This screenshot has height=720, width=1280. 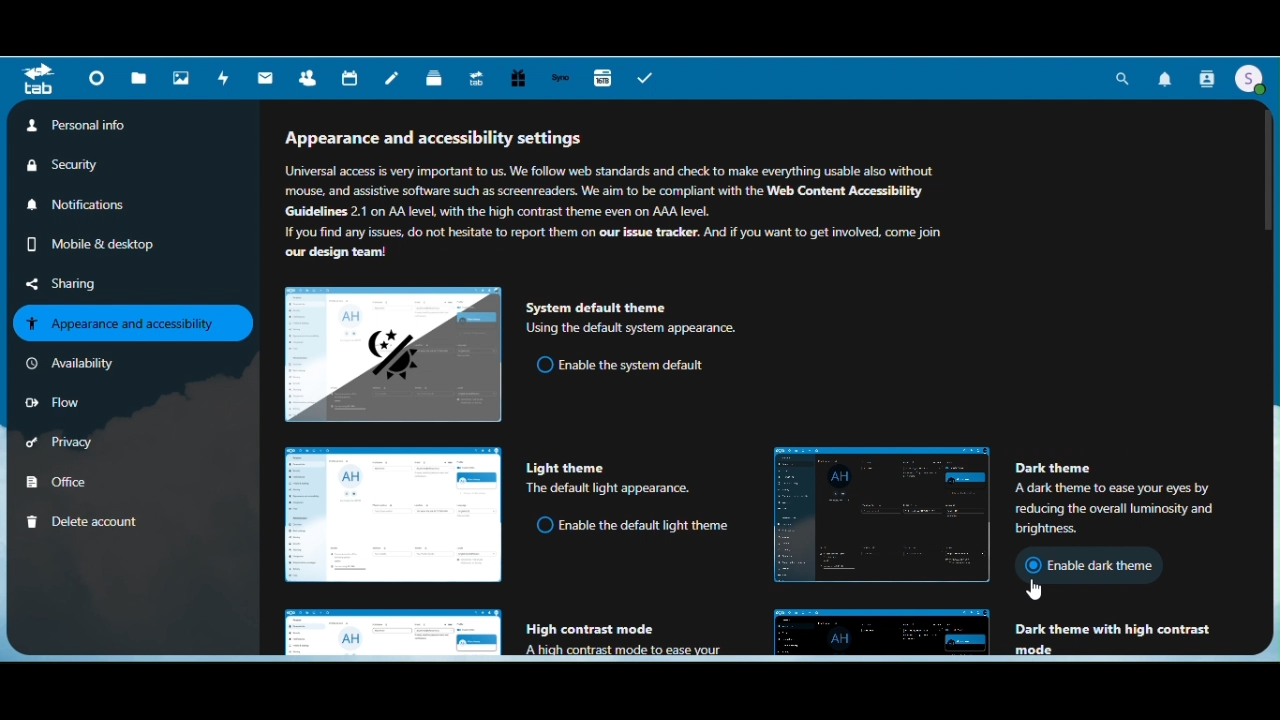 I want to click on Free trial, so click(x=520, y=78).